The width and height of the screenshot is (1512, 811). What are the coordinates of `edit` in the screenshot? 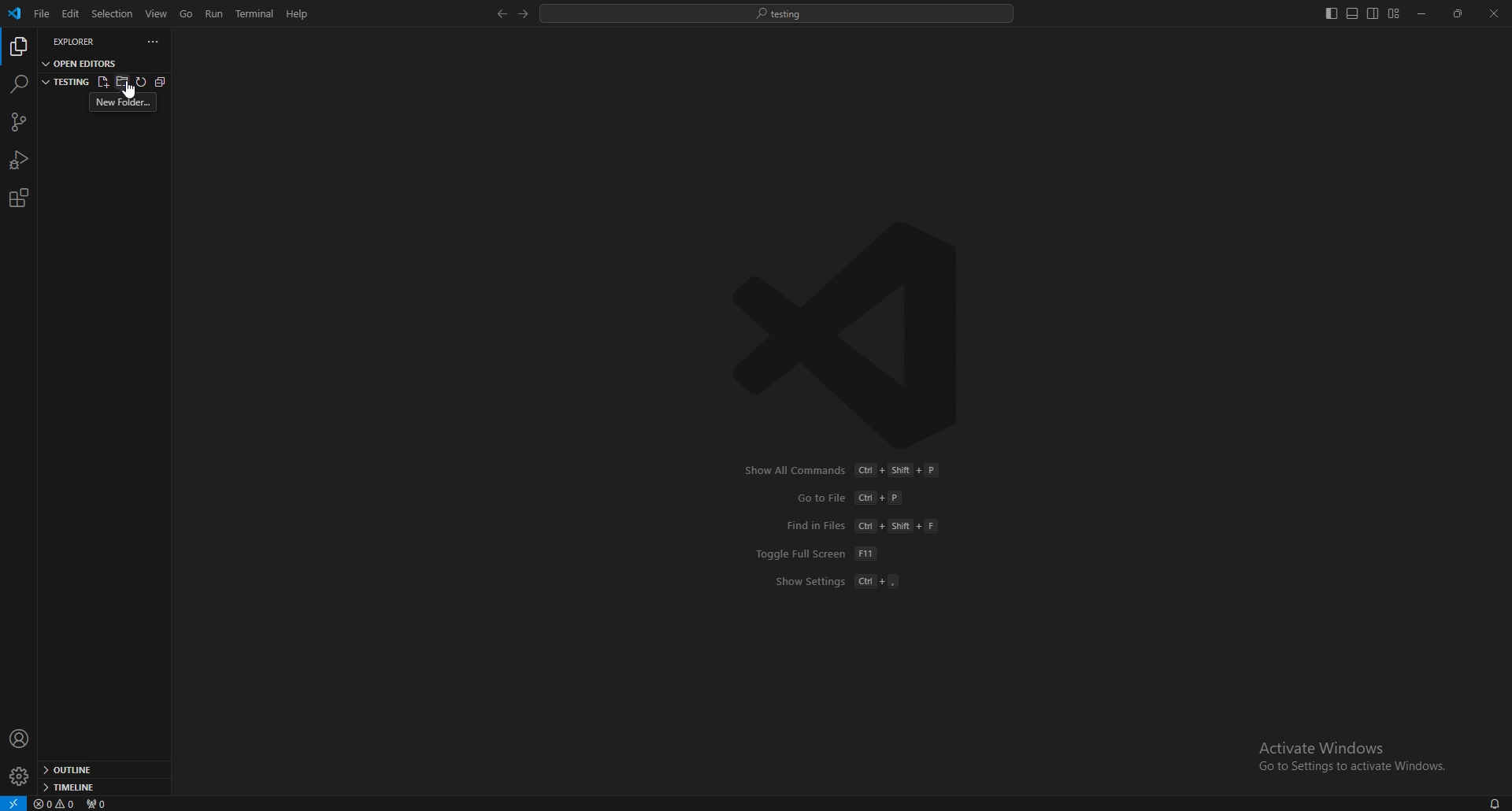 It's located at (69, 14).